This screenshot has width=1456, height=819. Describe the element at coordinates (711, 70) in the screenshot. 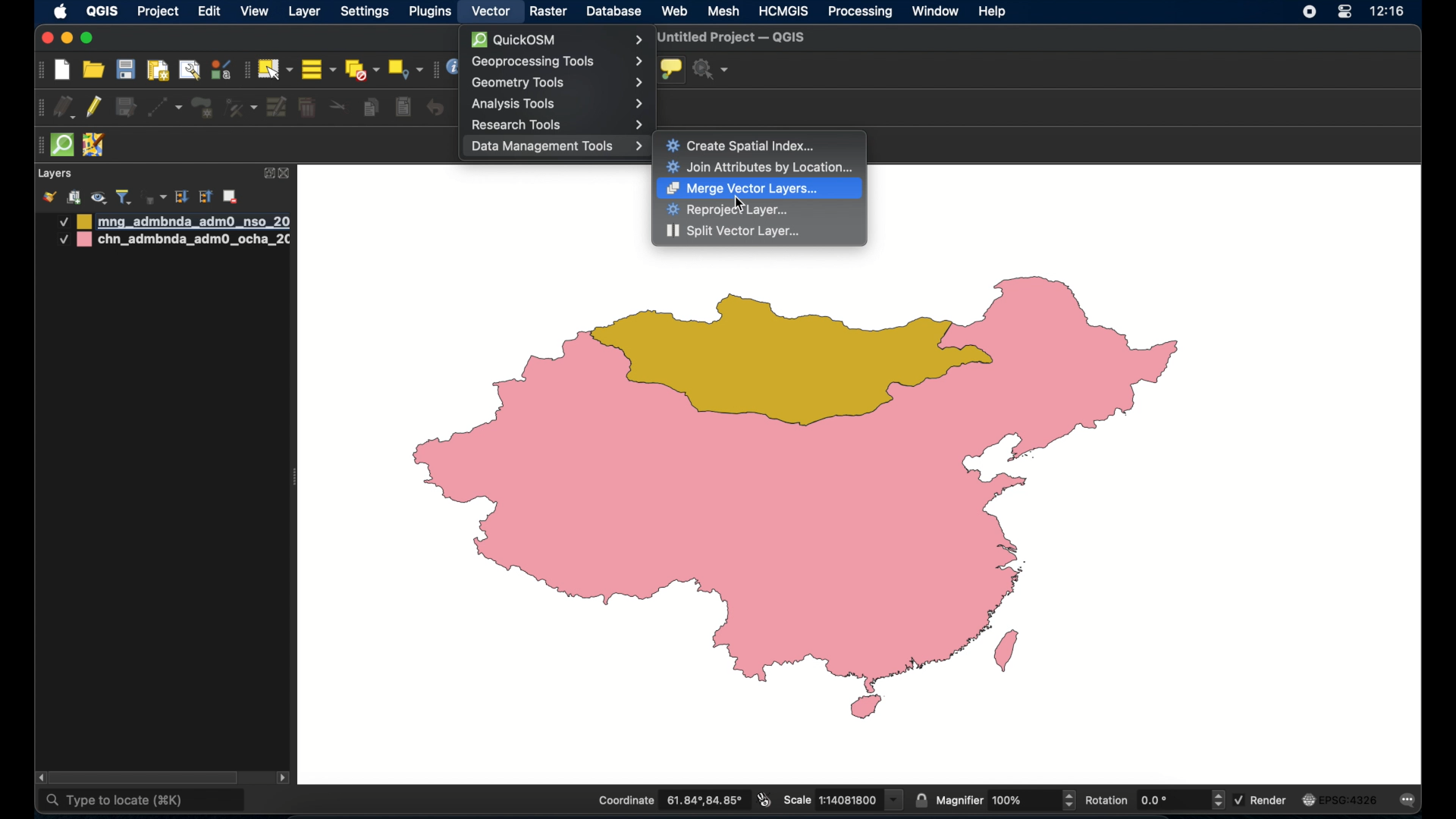

I see `no action selected` at that location.